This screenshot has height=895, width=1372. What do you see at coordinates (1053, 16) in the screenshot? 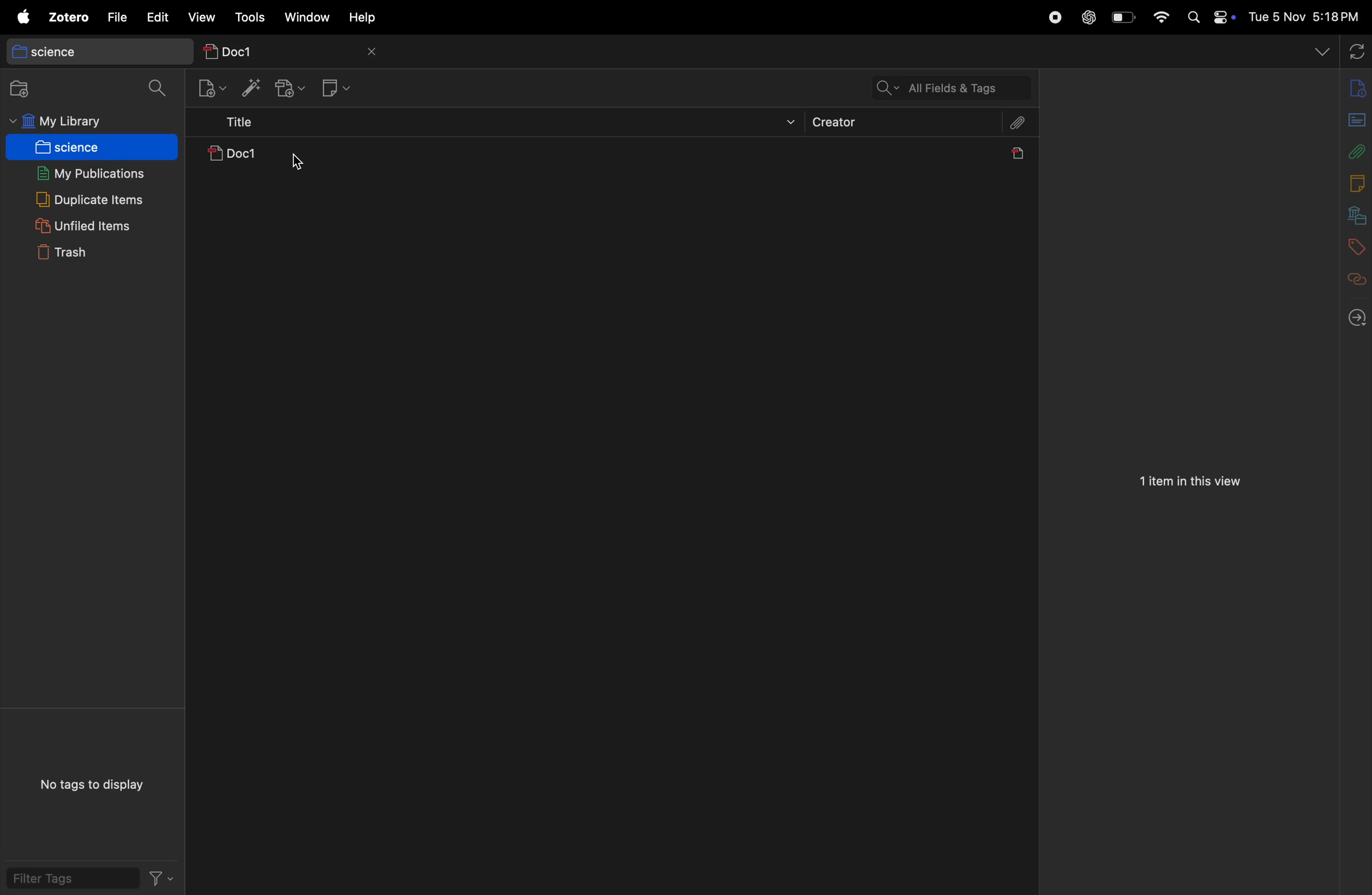
I see `record` at bounding box center [1053, 16].